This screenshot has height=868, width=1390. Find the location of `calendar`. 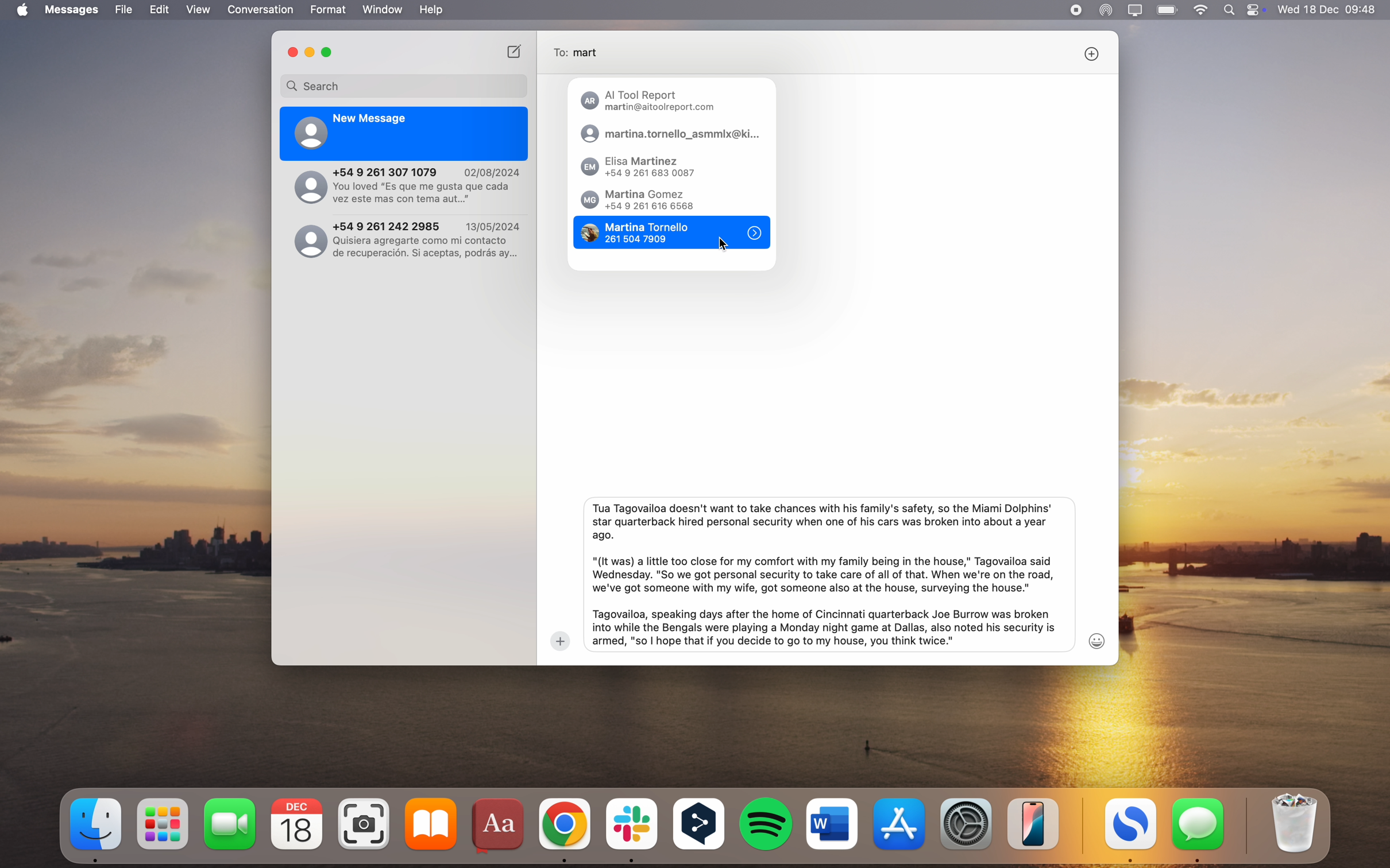

calendar is located at coordinates (297, 824).